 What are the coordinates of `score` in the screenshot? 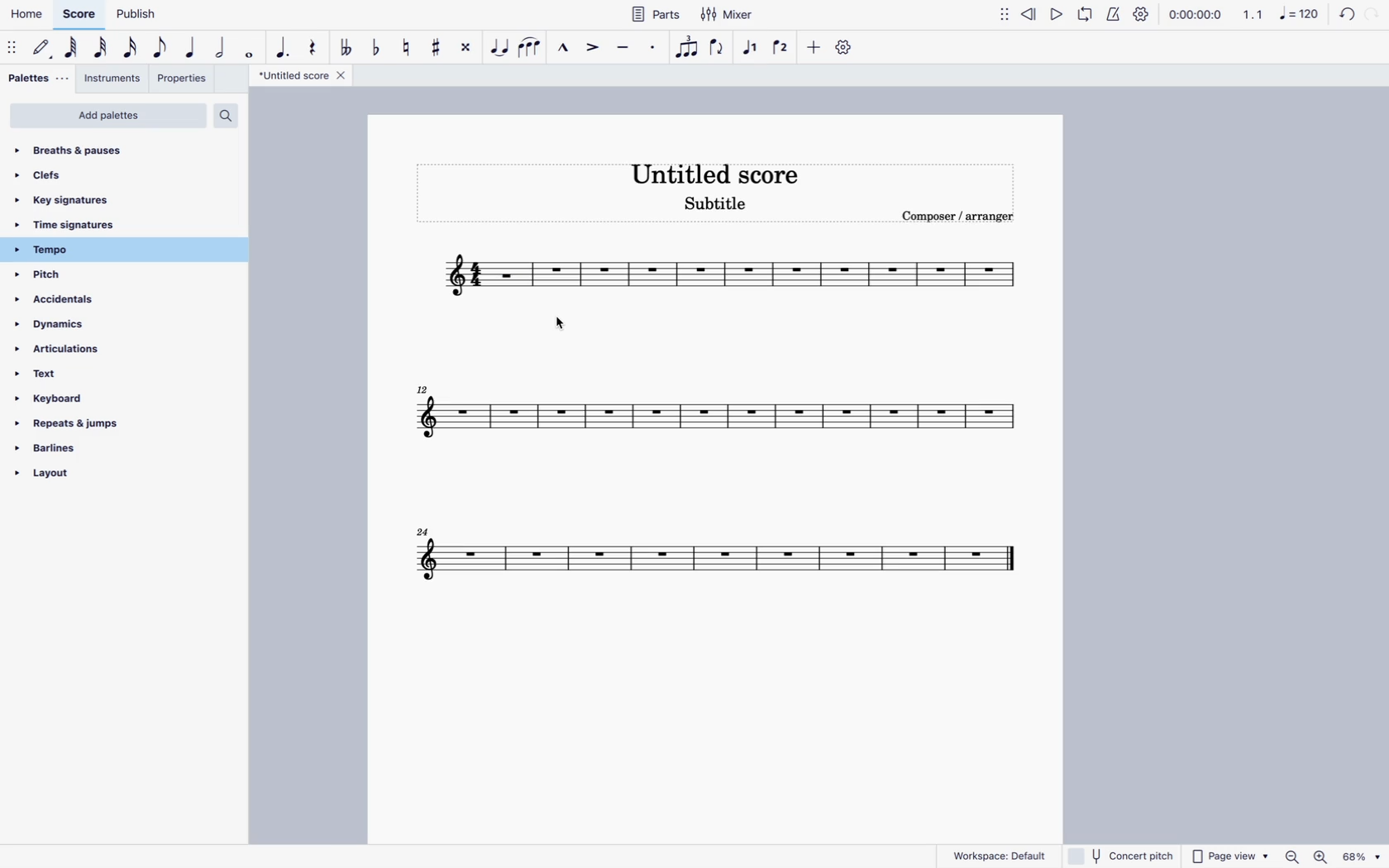 It's located at (709, 413).